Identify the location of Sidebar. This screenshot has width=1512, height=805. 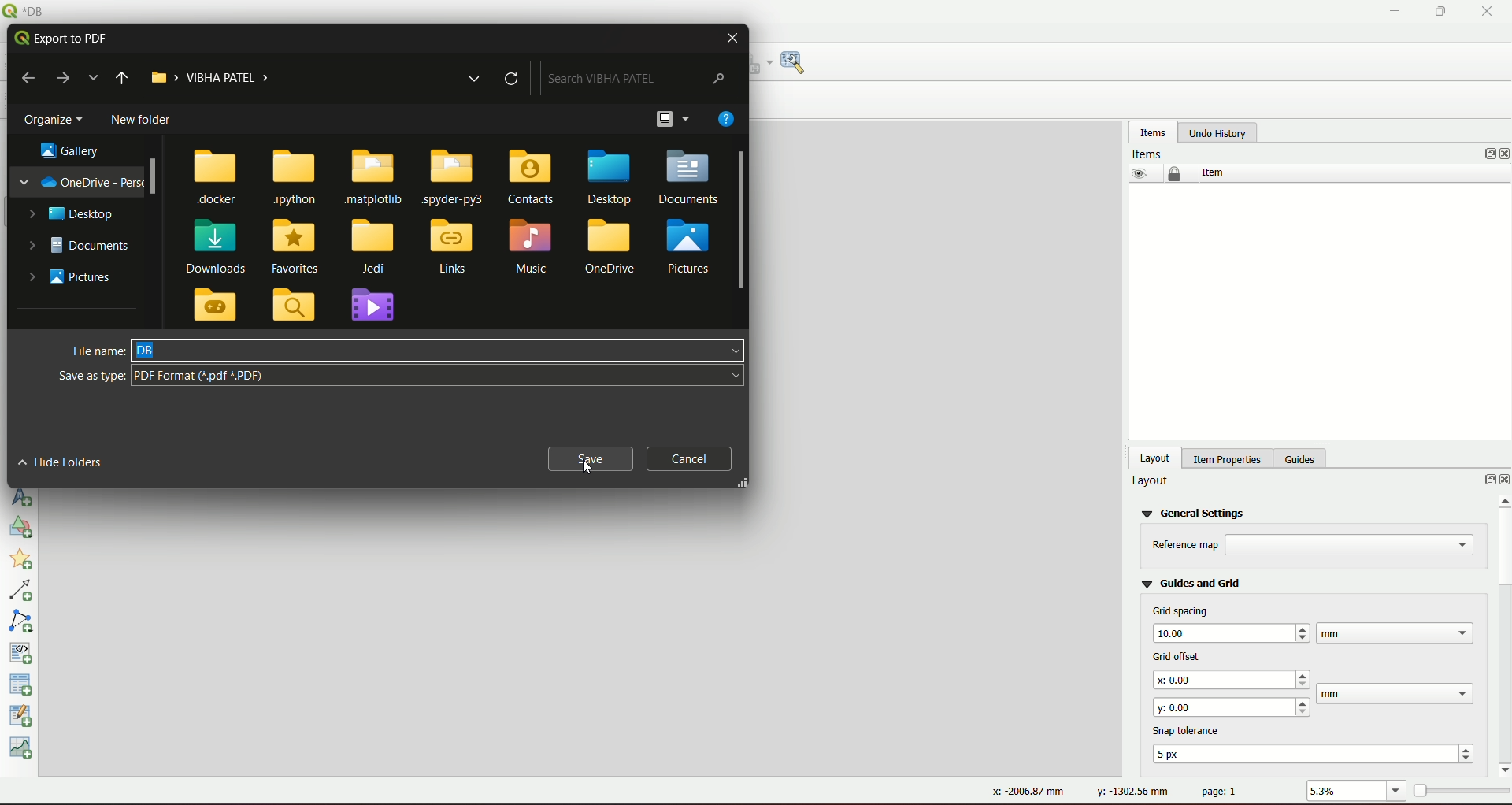
(743, 221).